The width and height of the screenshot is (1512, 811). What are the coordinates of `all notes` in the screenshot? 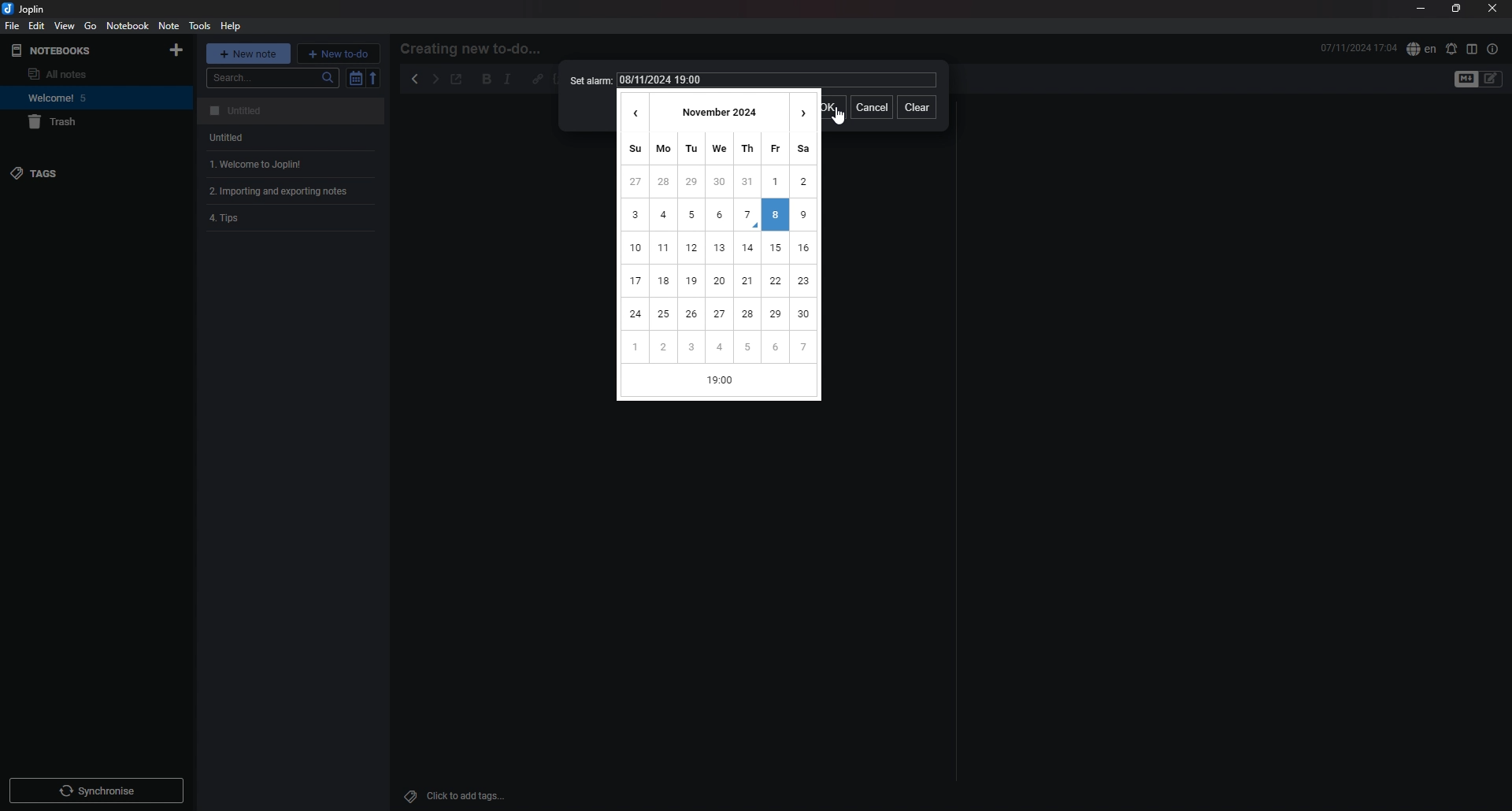 It's located at (83, 73).